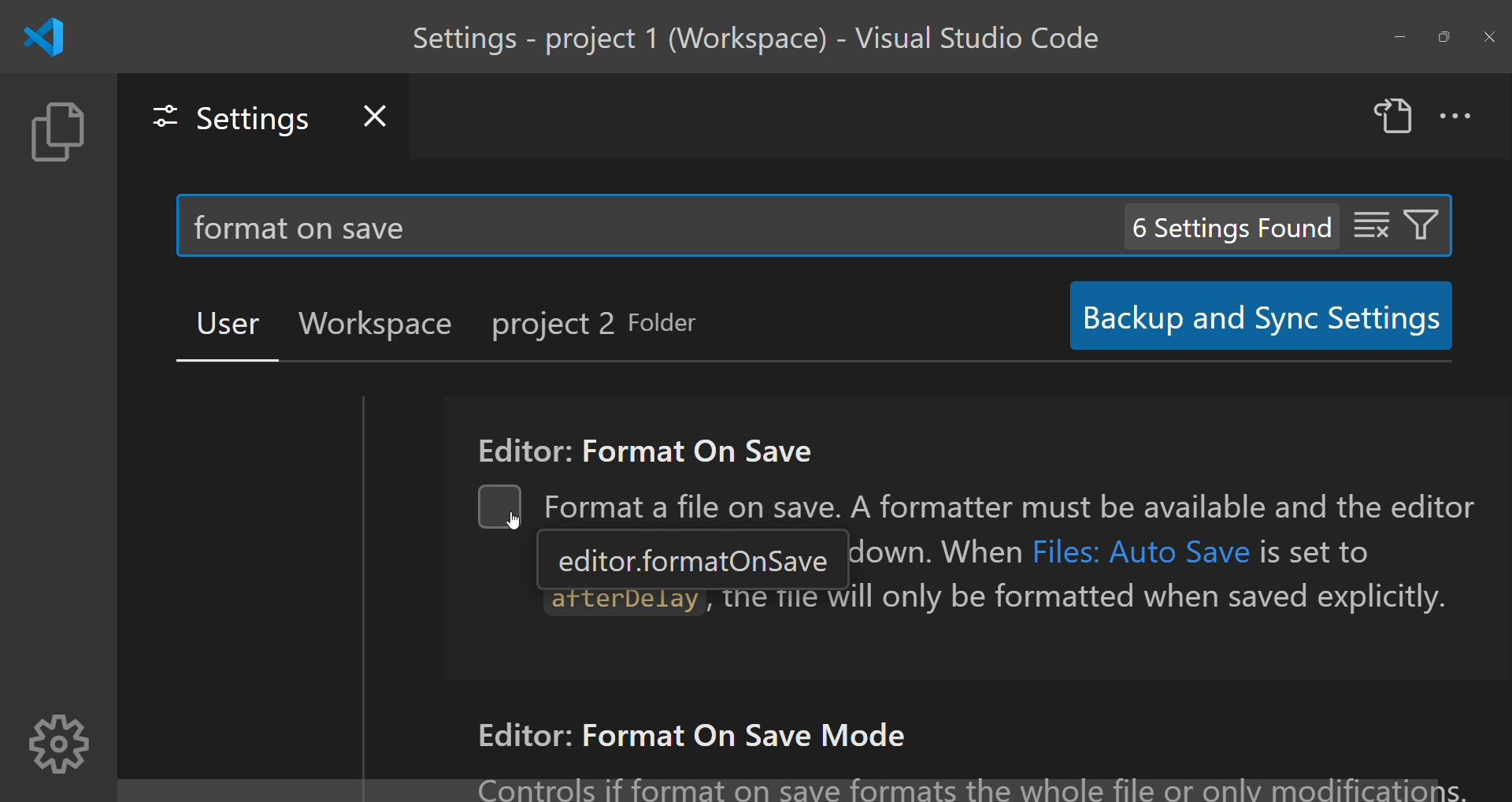  Describe the element at coordinates (224, 116) in the screenshot. I see `settings` at that location.